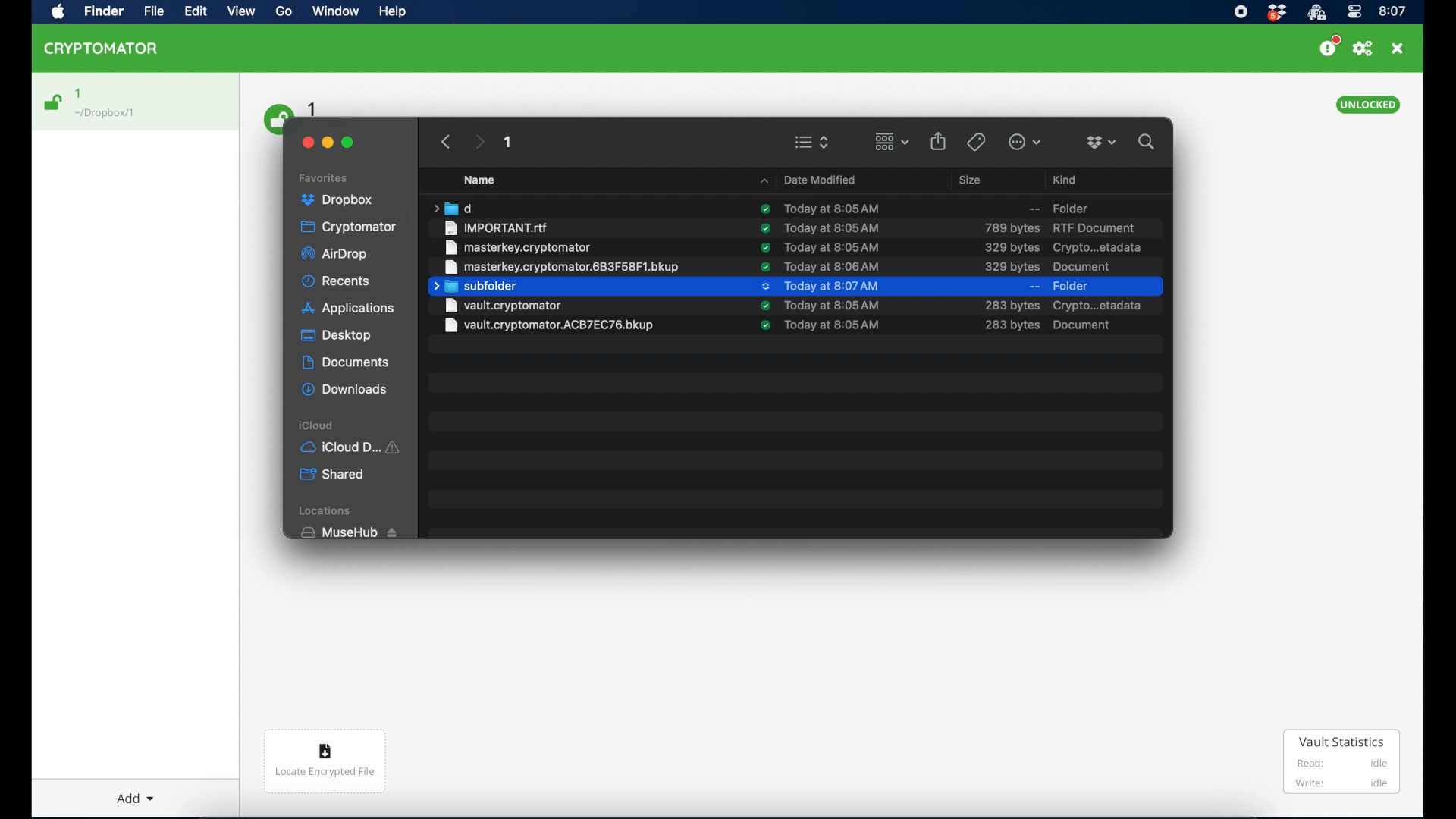  I want to click on date, so click(833, 305).